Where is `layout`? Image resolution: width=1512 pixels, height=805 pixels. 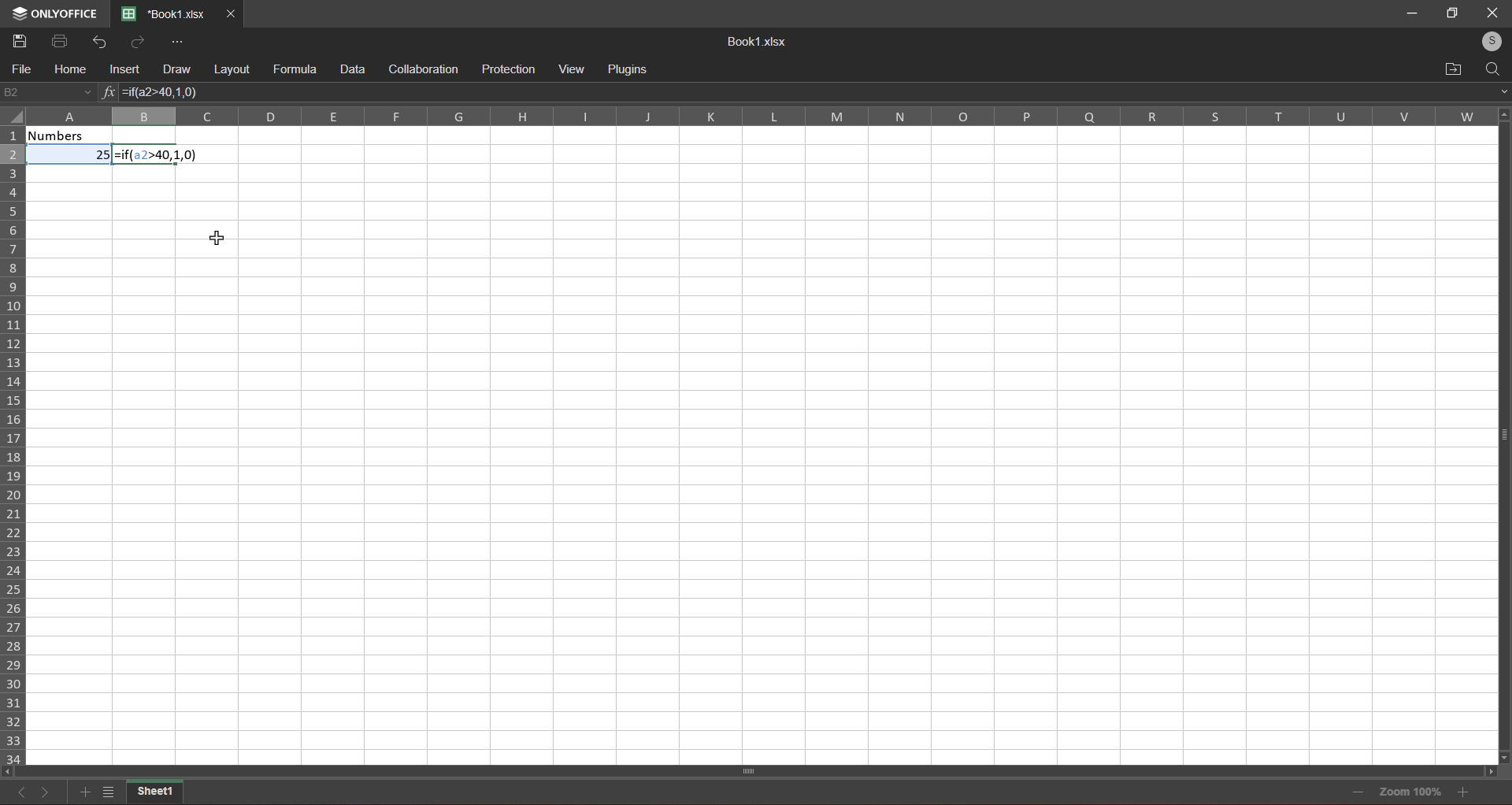
layout is located at coordinates (231, 69).